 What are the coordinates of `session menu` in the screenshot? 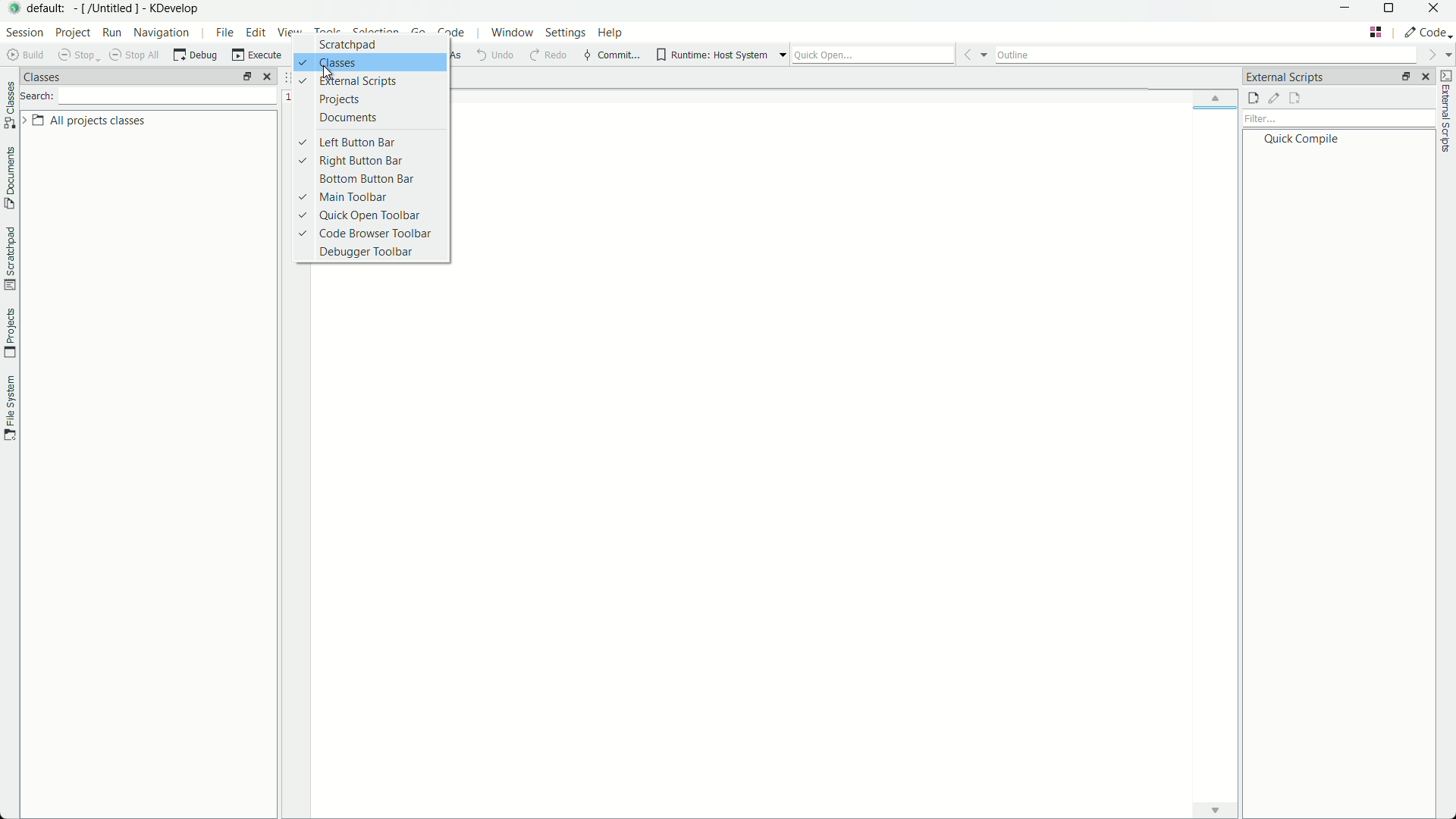 It's located at (26, 33).